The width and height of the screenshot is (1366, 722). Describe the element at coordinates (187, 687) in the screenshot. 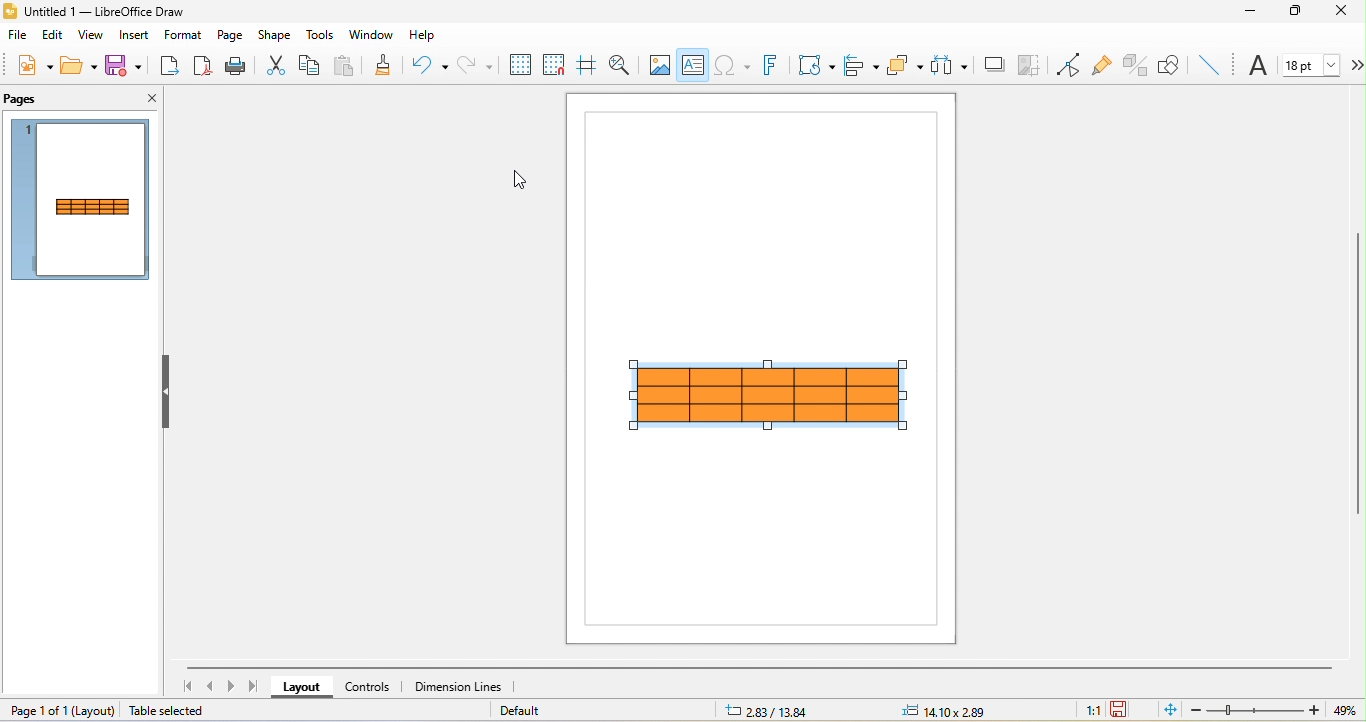

I see `first page` at that location.